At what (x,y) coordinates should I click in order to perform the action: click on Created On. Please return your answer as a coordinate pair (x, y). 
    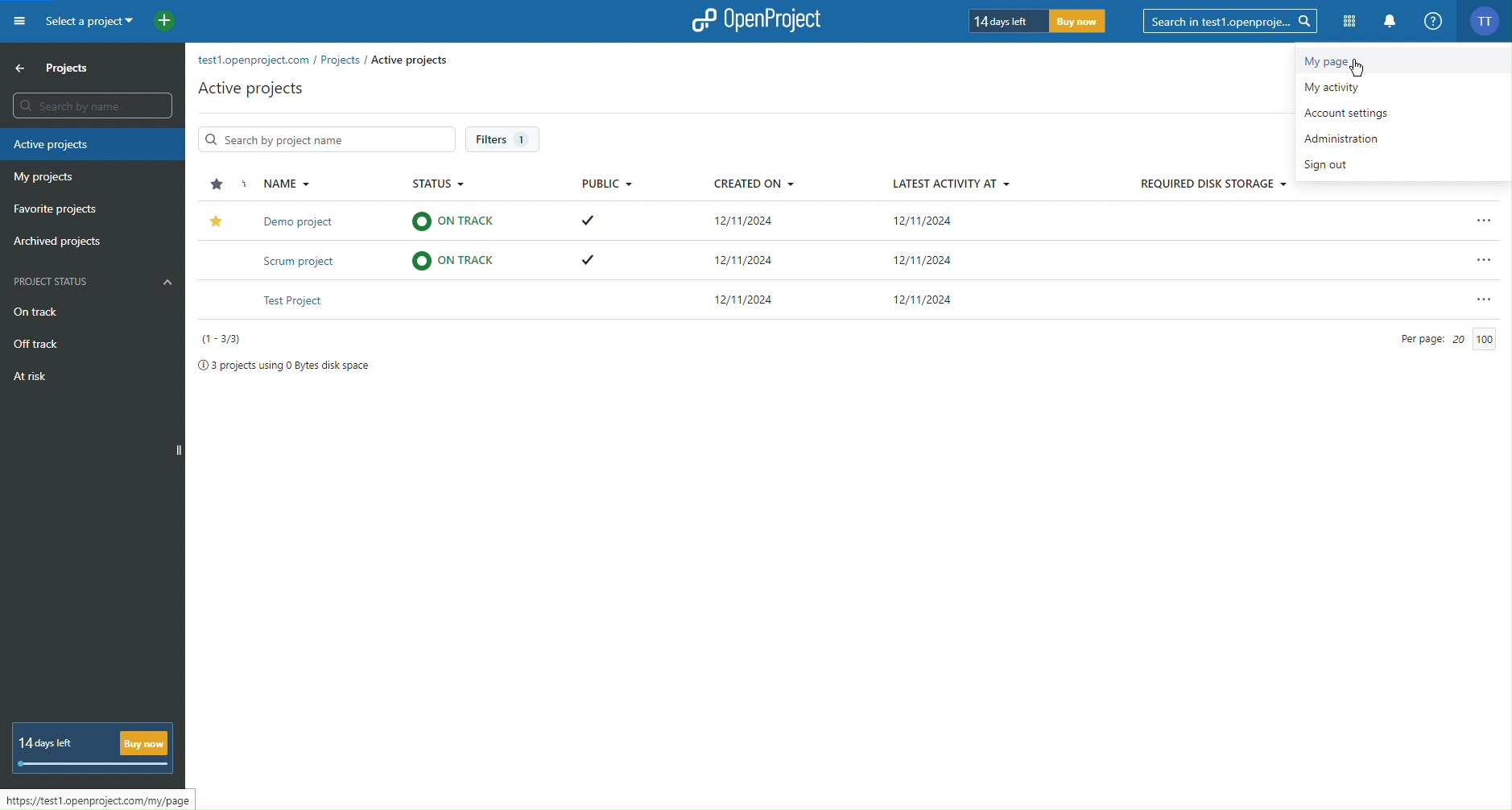
    Looking at the image, I should click on (757, 182).